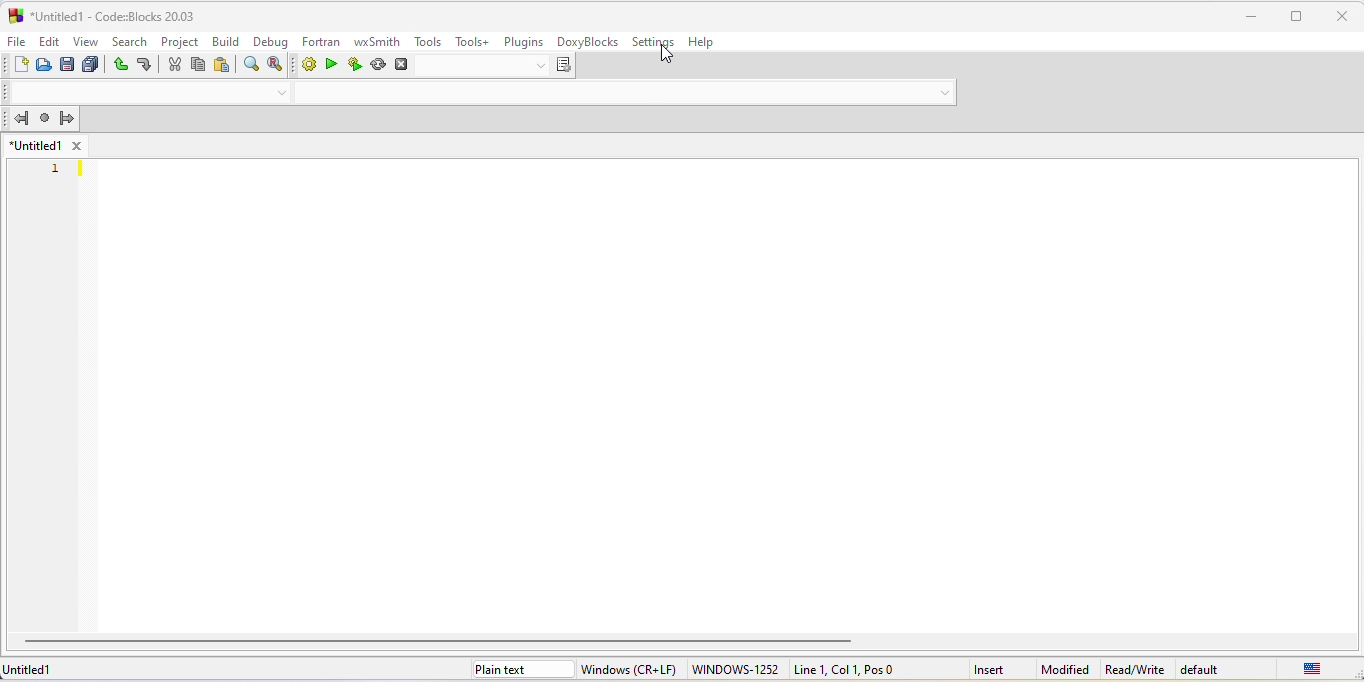 Image resolution: width=1364 pixels, height=682 pixels. What do you see at coordinates (57, 170) in the screenshot?
I see `1` at bounding box center [57, 170].